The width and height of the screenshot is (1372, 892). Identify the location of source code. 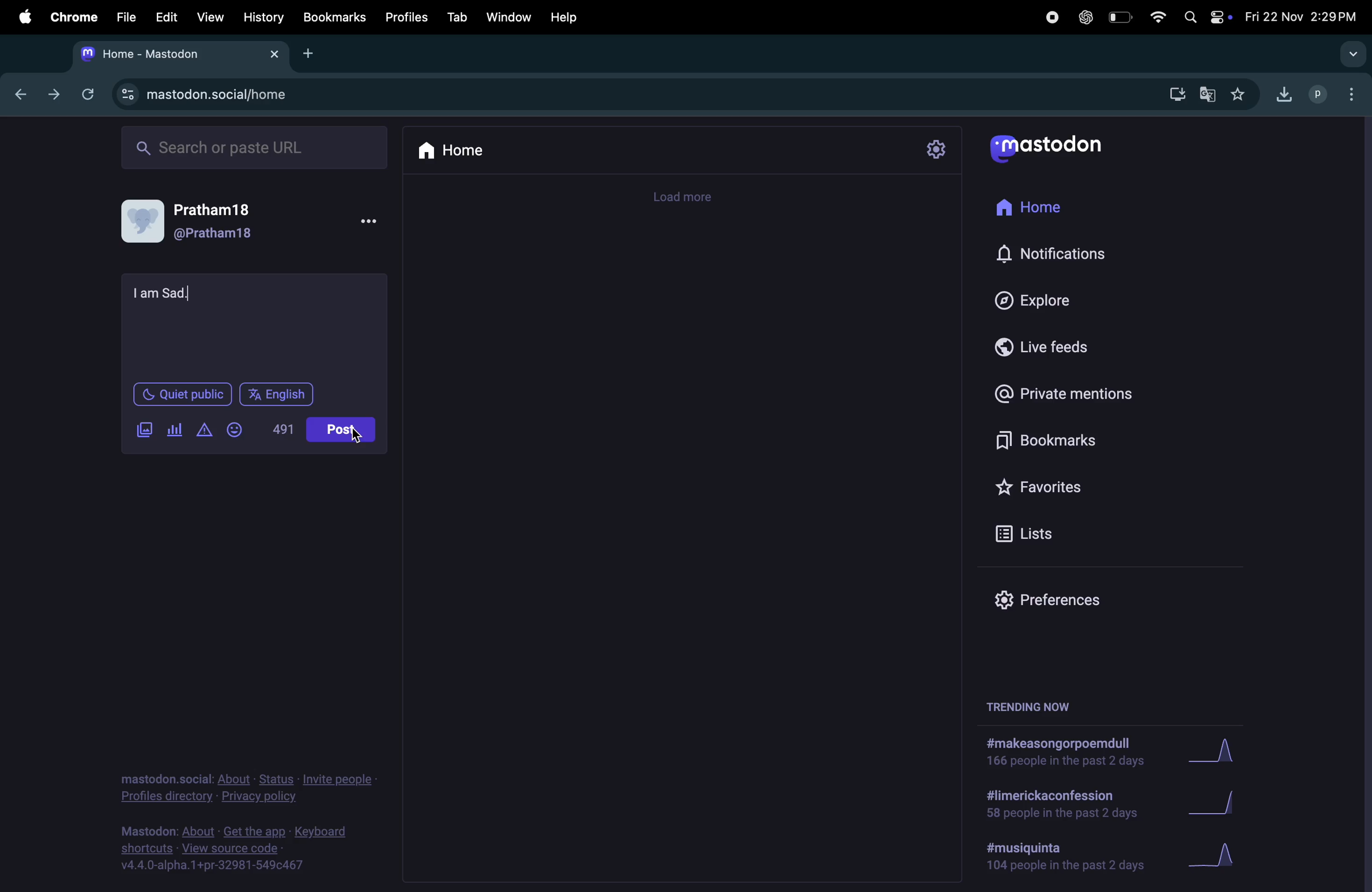
(238, 850).